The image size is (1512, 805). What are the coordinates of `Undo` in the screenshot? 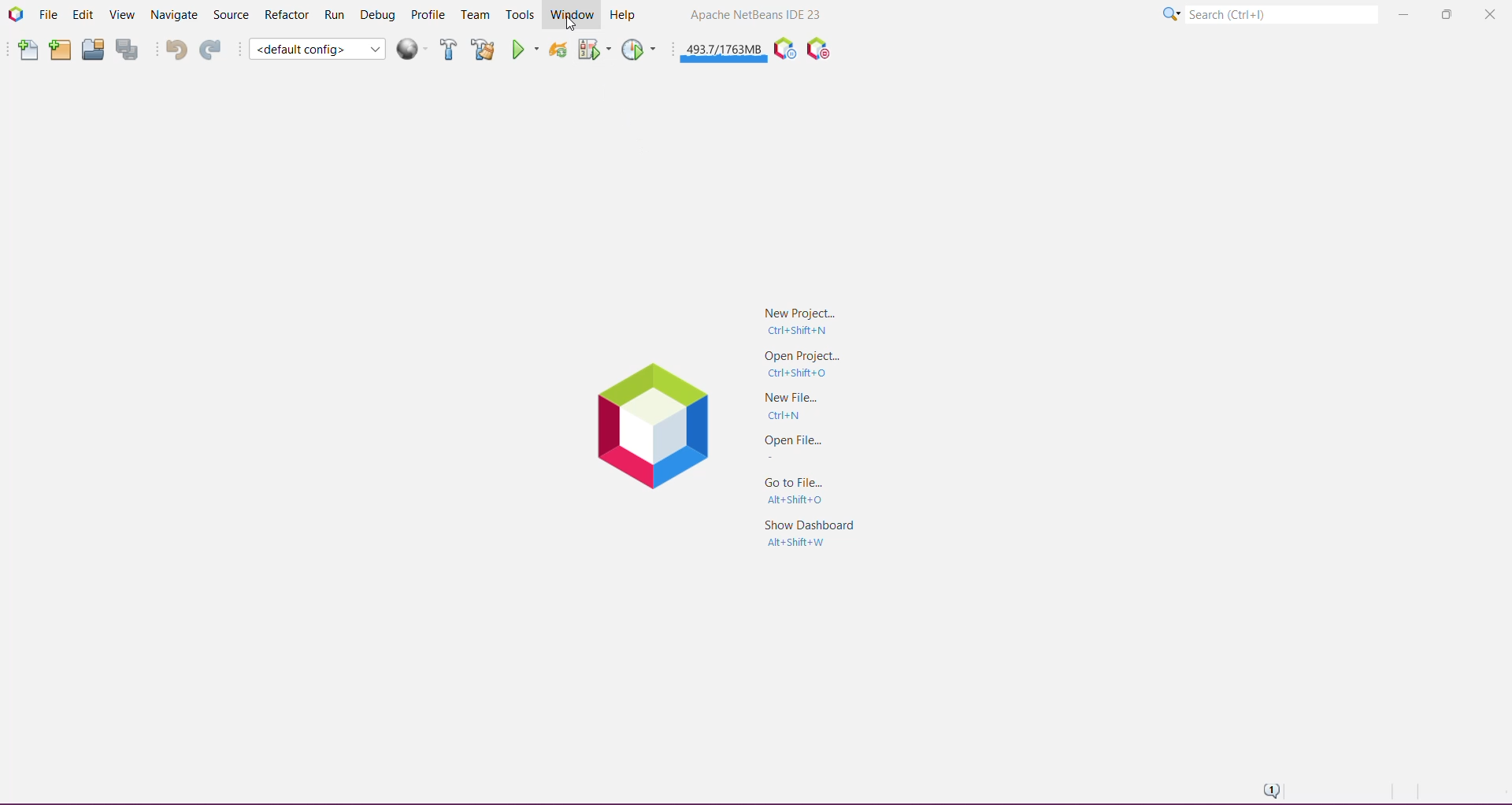 It's located at (172, 49).